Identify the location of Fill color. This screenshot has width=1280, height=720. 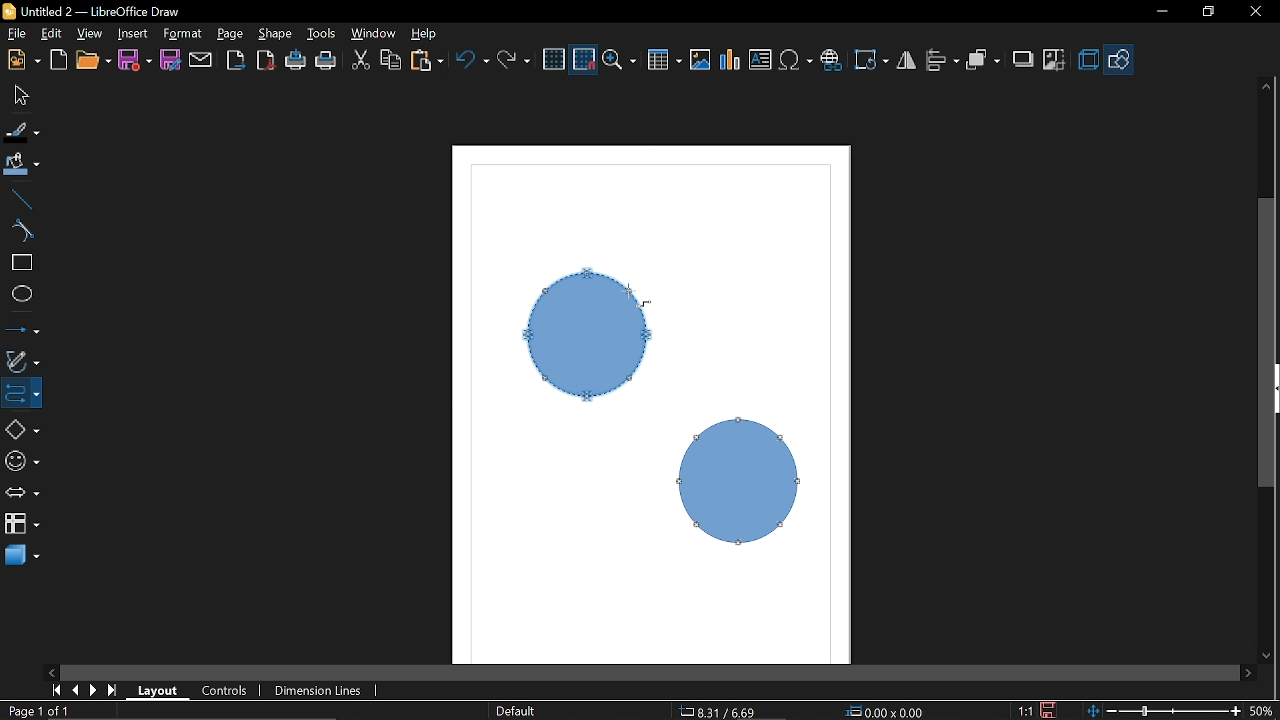
(20, 169).